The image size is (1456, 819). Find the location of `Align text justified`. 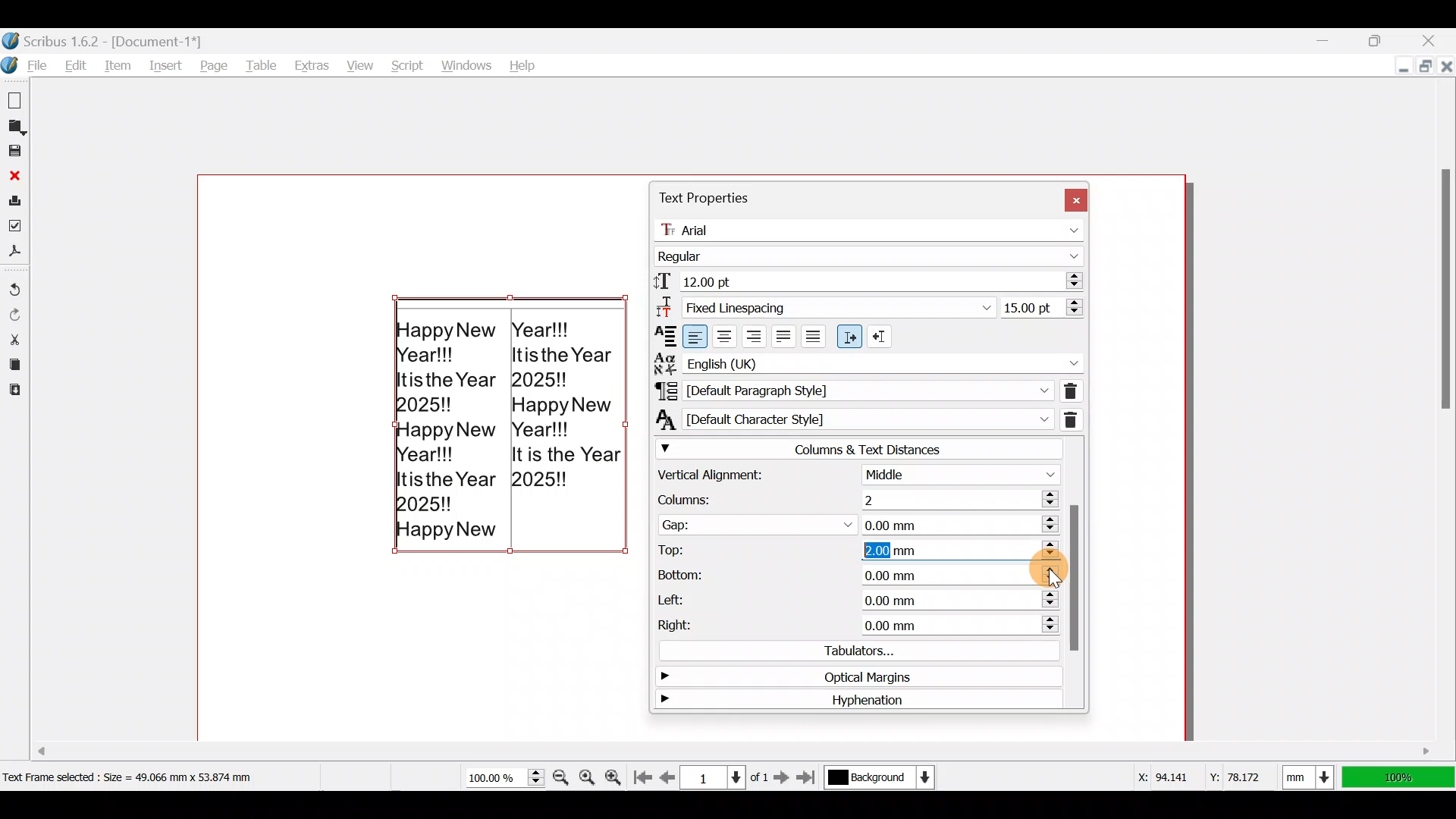

Align text justified is located at coordinates (784, 334).